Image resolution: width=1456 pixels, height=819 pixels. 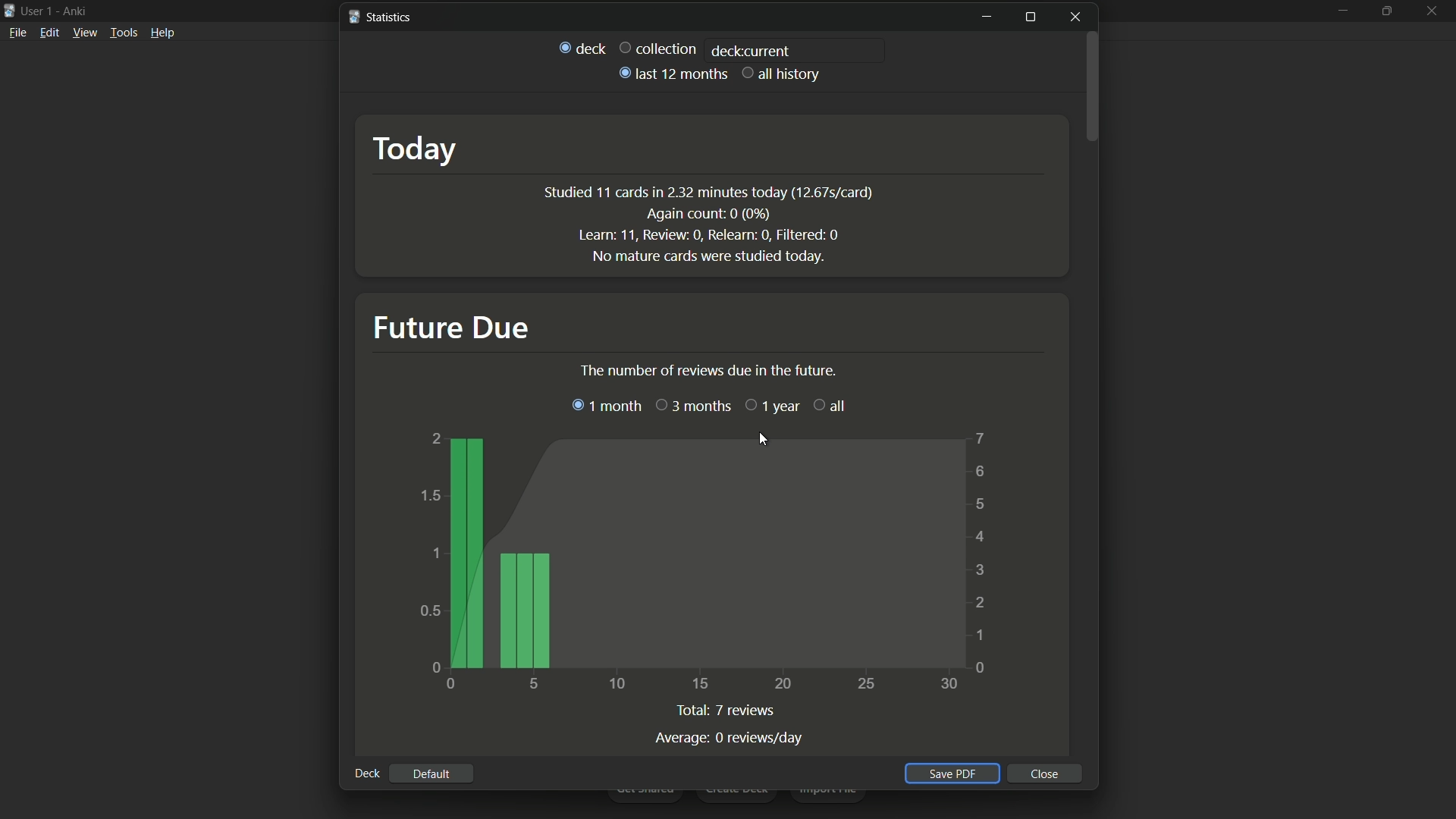 What do you see at coordinates (949, 773) in the screenshot?
I see `save pdf` at bounding box center [949, 773].